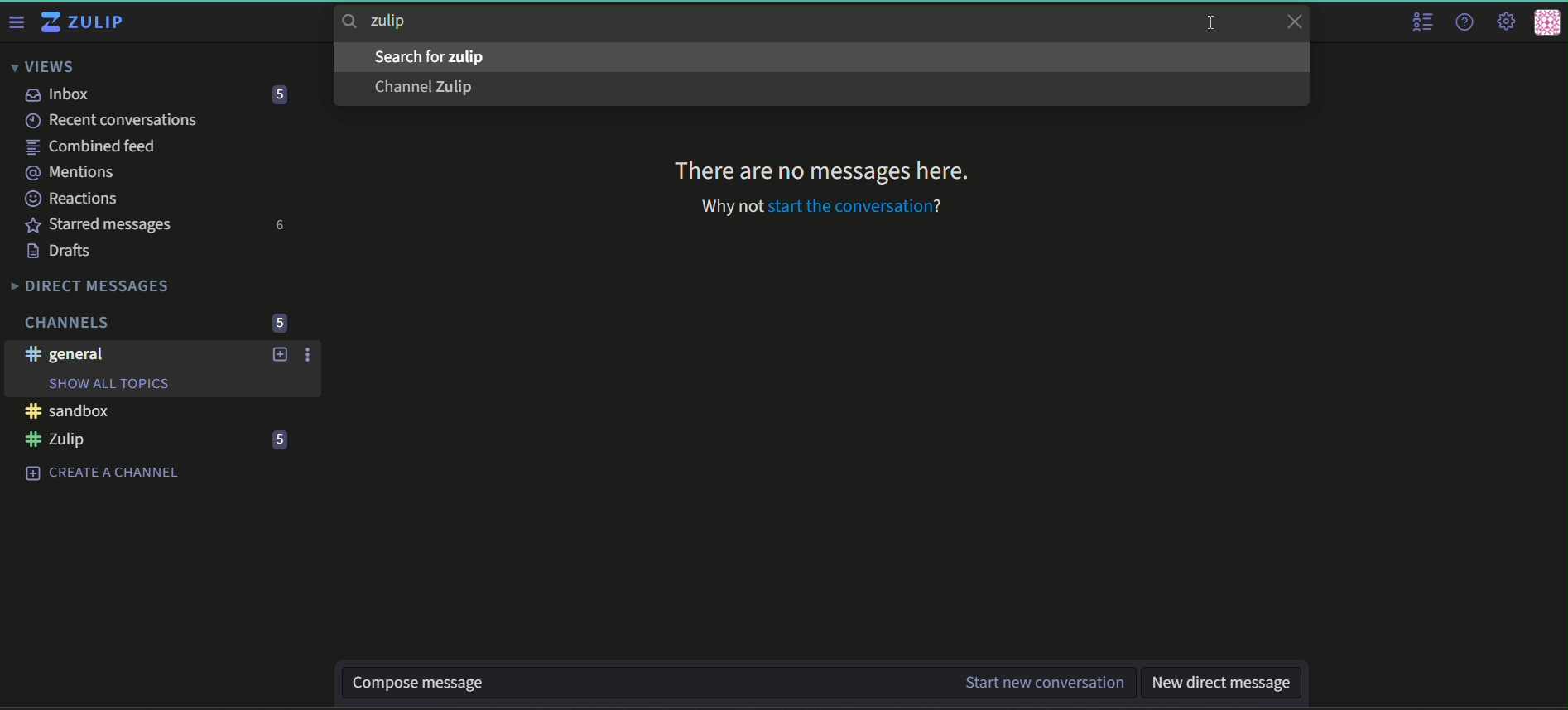  What do you see at coordinates (41, 66) in the screenshot?
I see `Views` at bounding box center [41, 66].